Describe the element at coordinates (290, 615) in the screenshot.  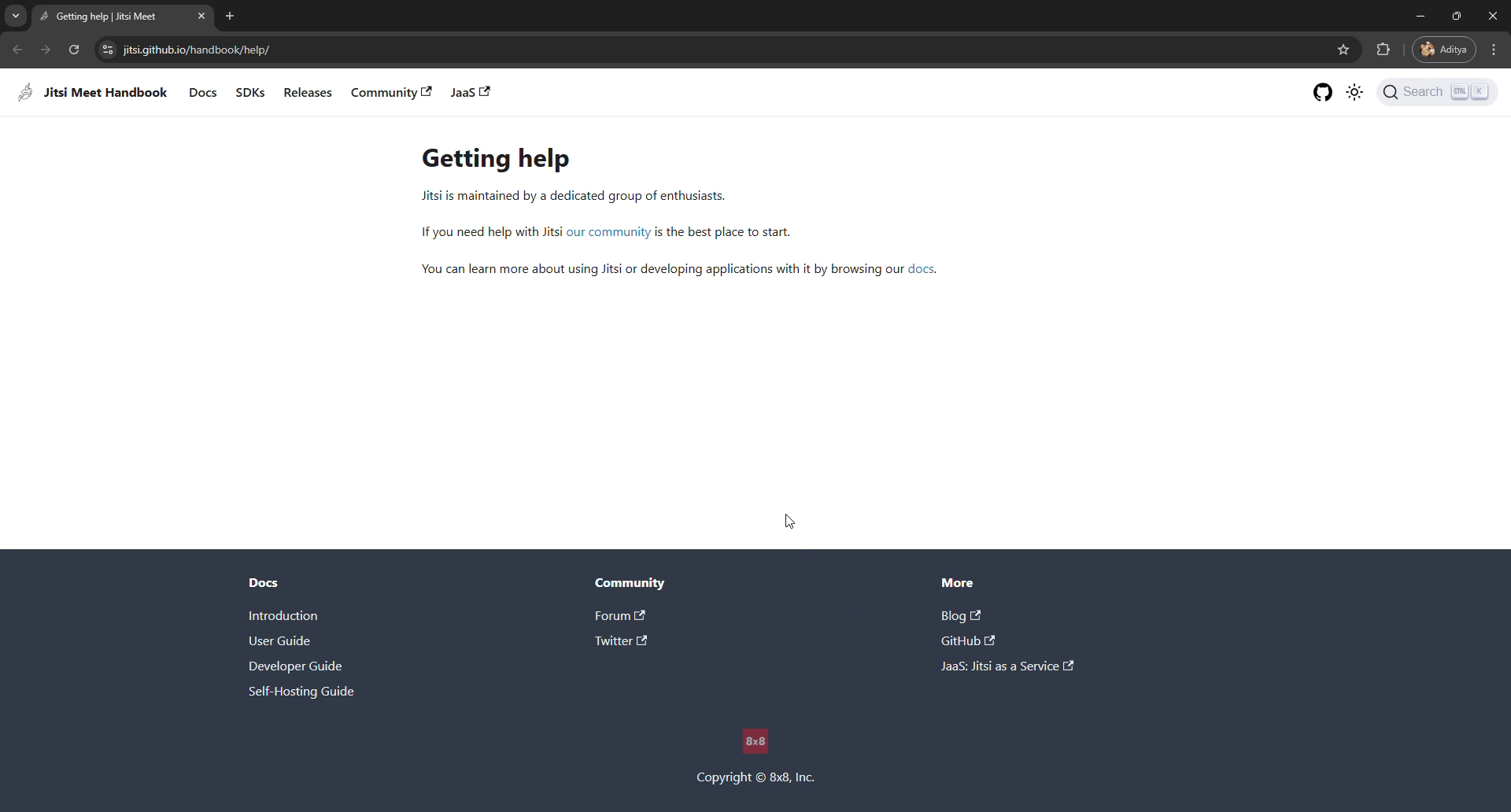
I see `intro` at that location.